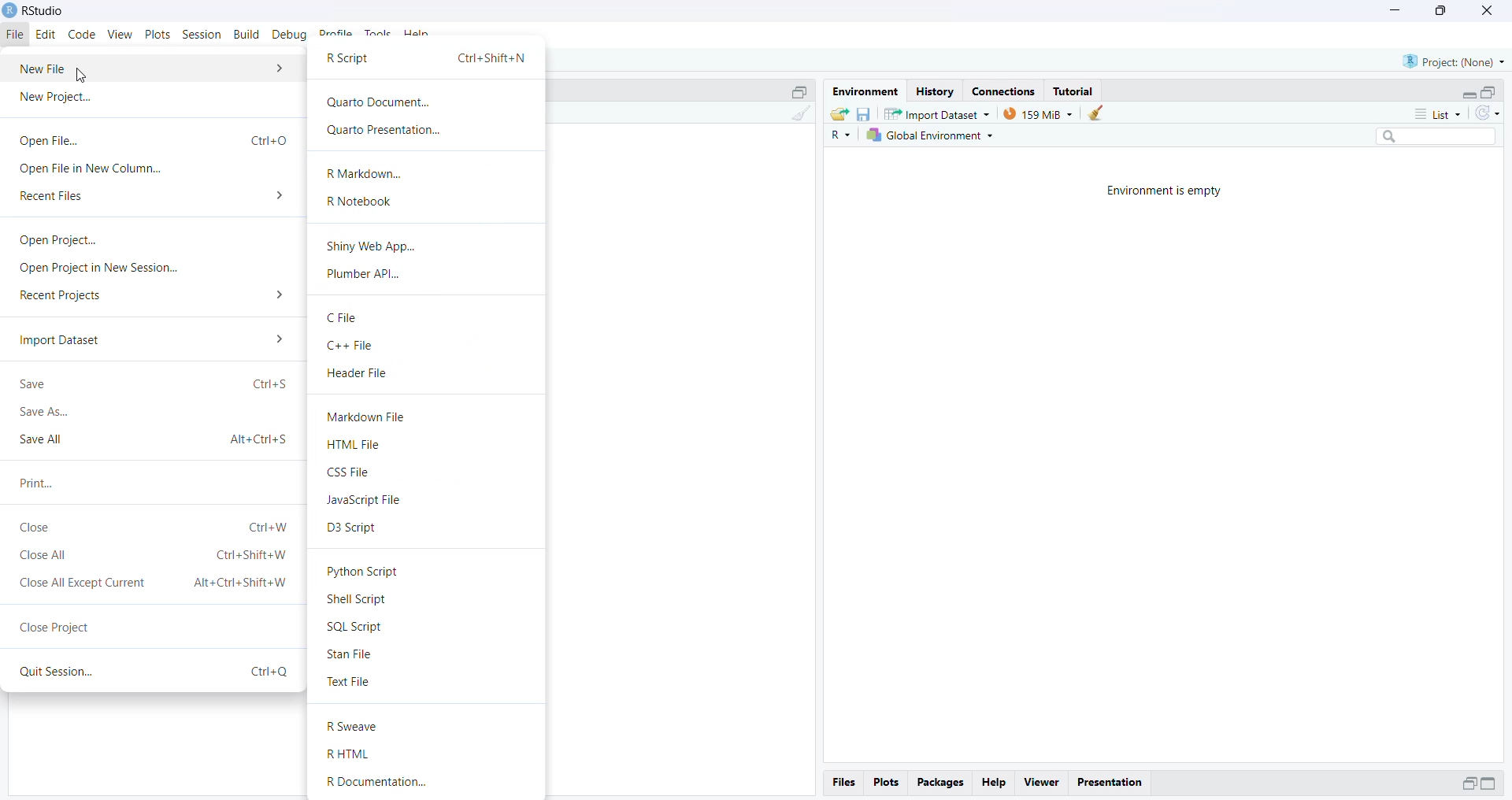  What do you see at coordinates (349, 473) in the screenshot?
I see `CSS File` at bounding box center [349, 473].